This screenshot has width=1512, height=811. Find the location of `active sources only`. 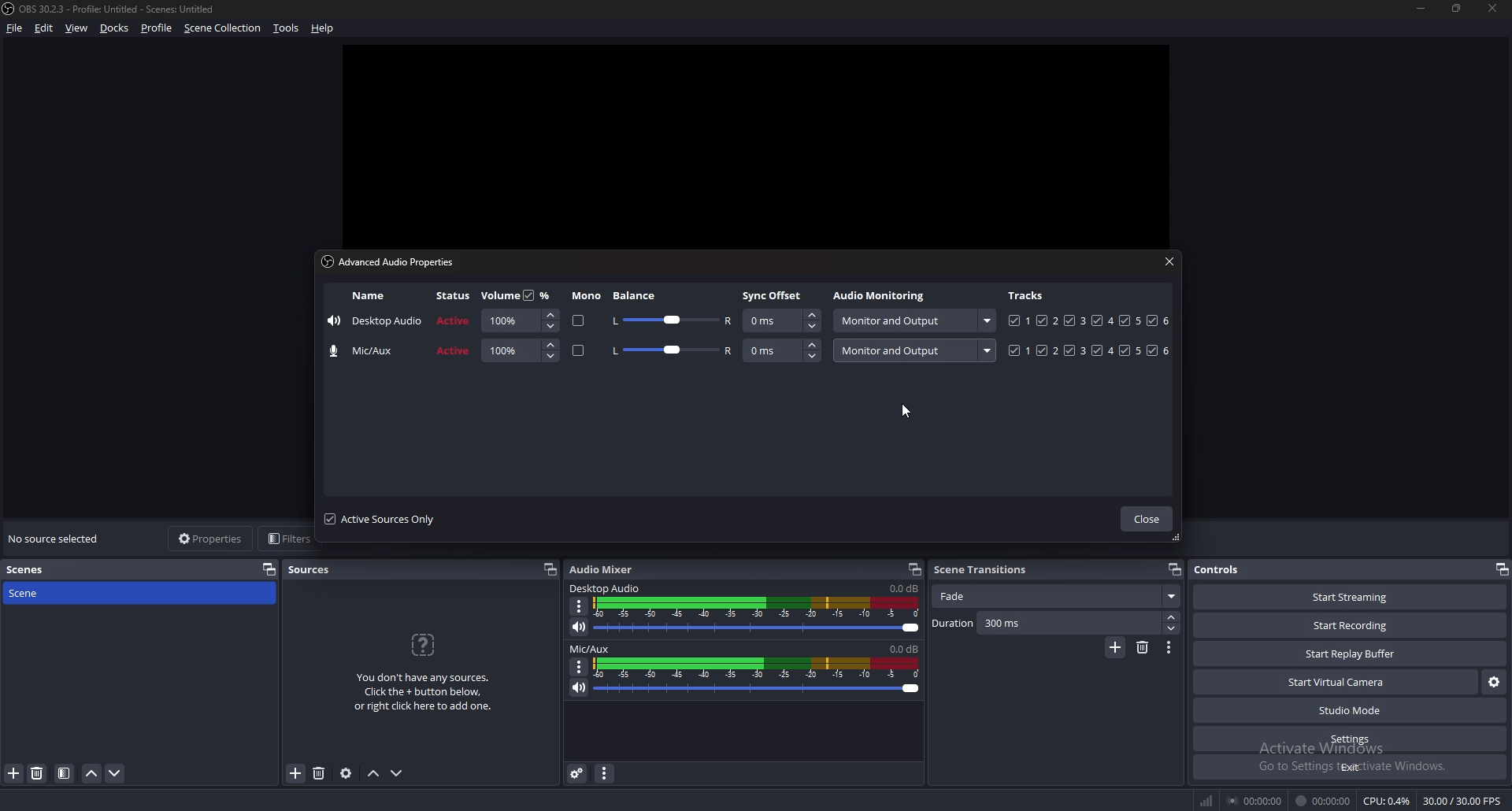

active sources only is located at coordinates (386, 520).